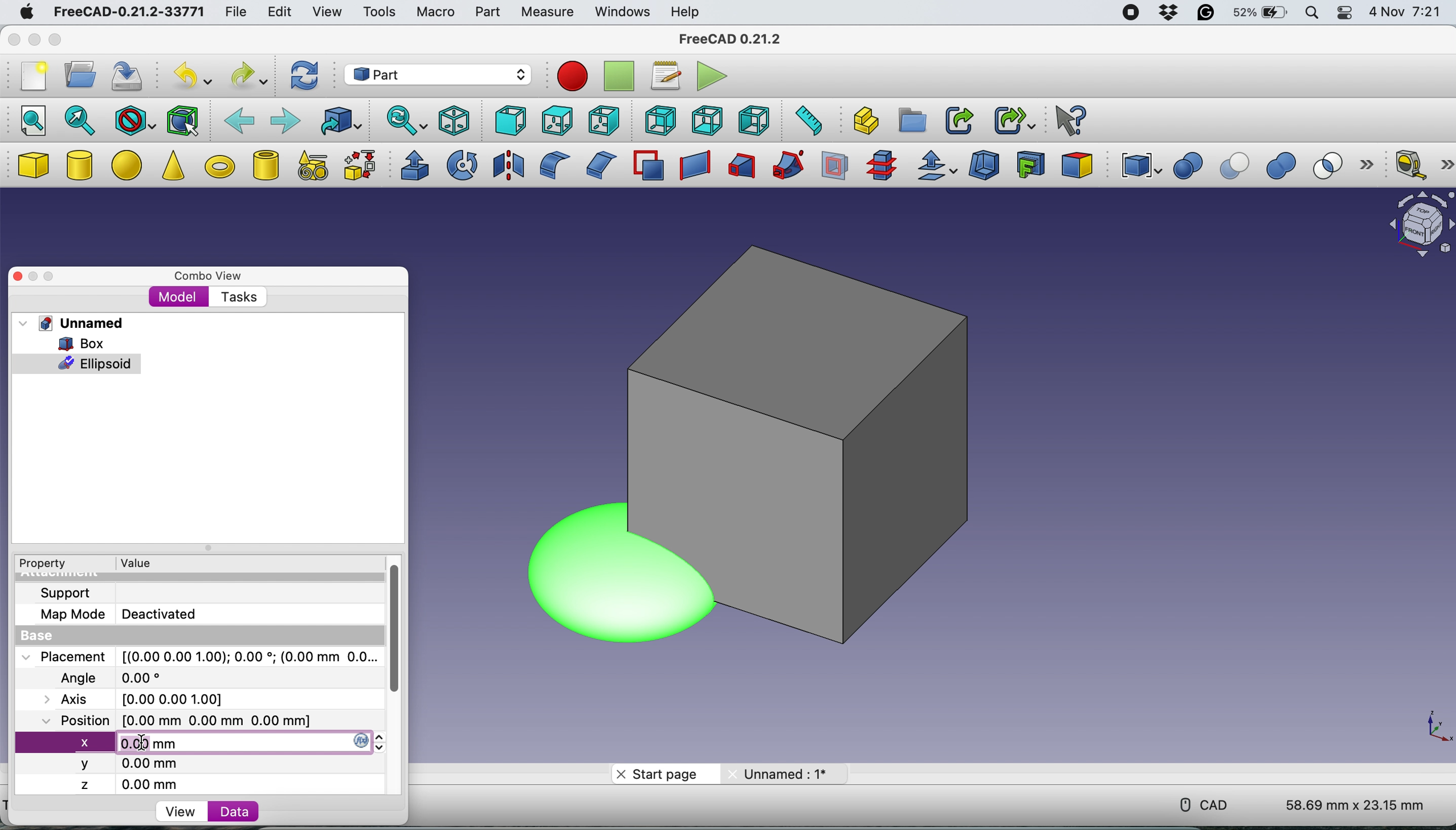  I want to click on dropbox, so click(1166, 13).